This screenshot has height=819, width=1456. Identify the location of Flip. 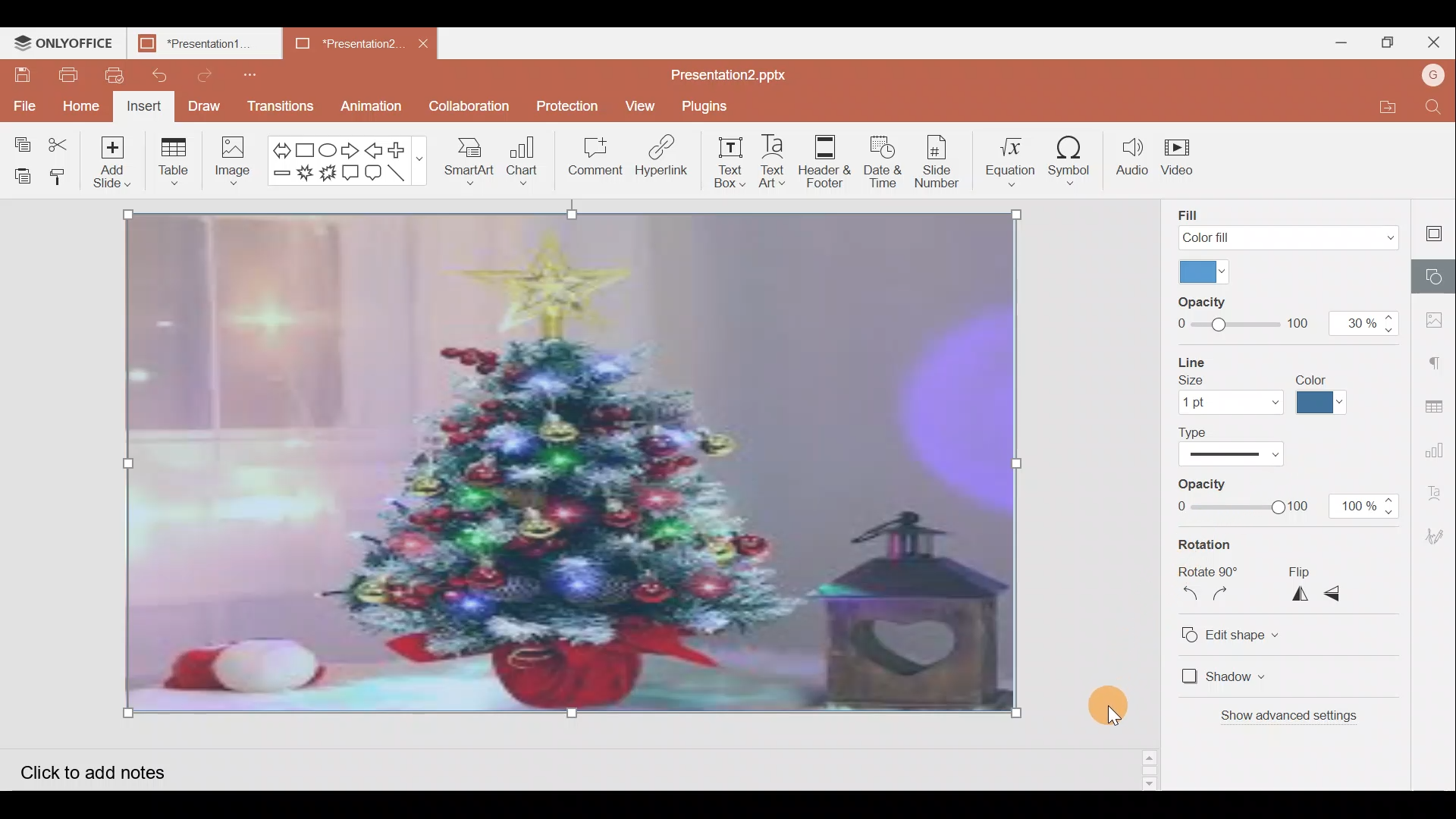
(1320, 570).